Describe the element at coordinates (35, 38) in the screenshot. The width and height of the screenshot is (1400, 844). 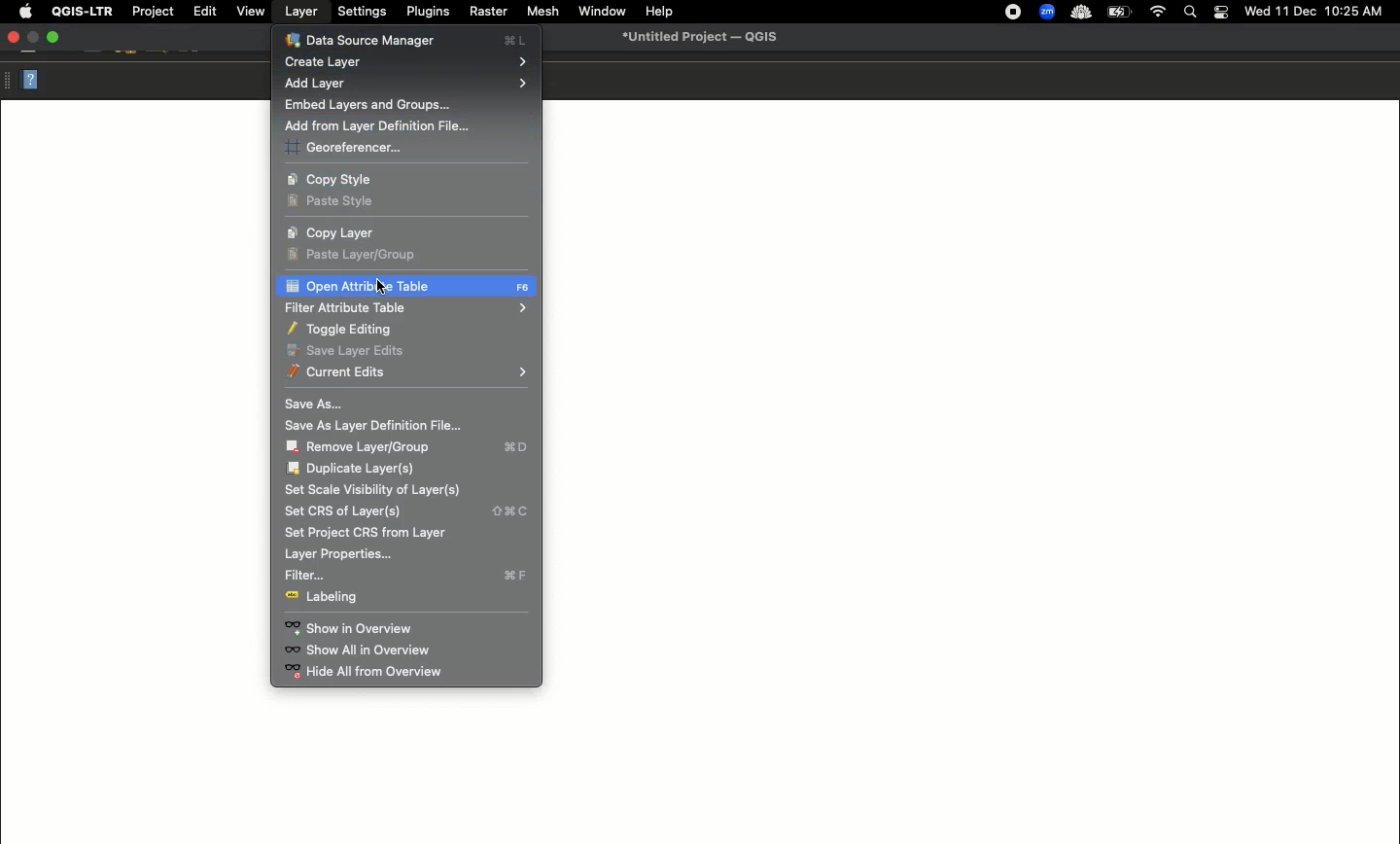
I see `minimize` at that location.